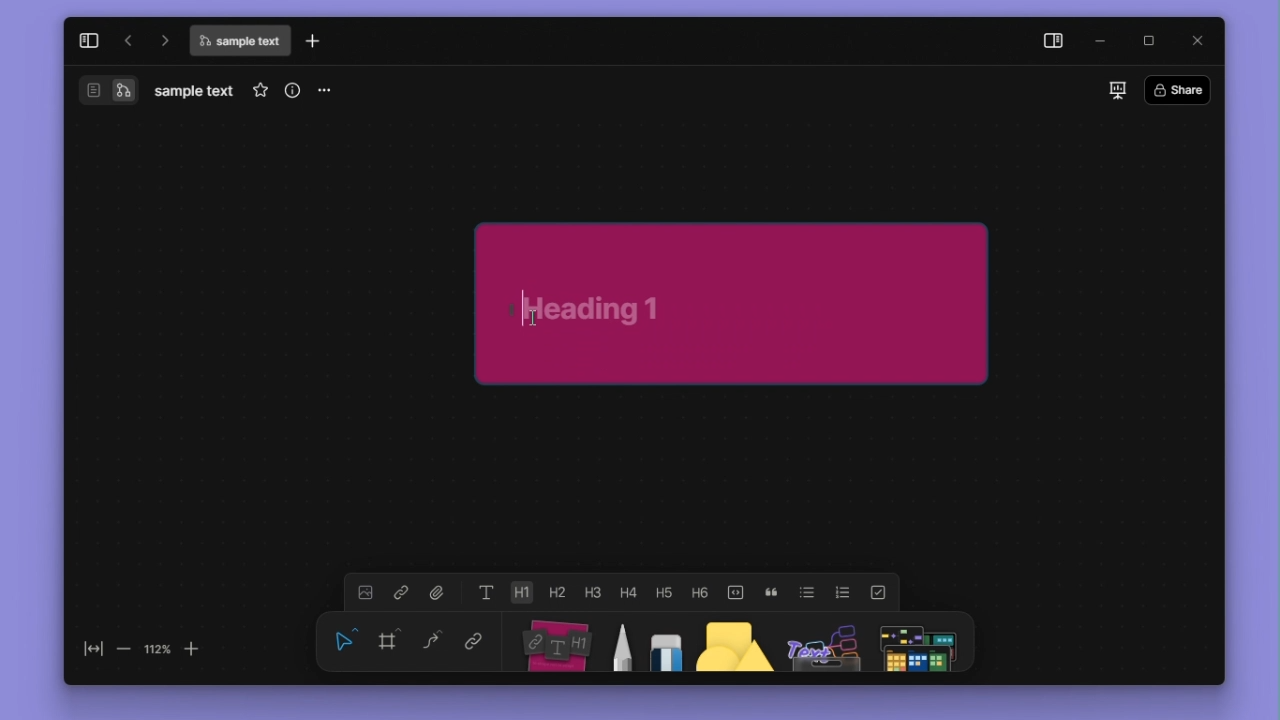 The height and width of the screenshot is (720, 1280). Describe the element at coordinates (1197, 41) in the screenshot. I see `close` at that location.